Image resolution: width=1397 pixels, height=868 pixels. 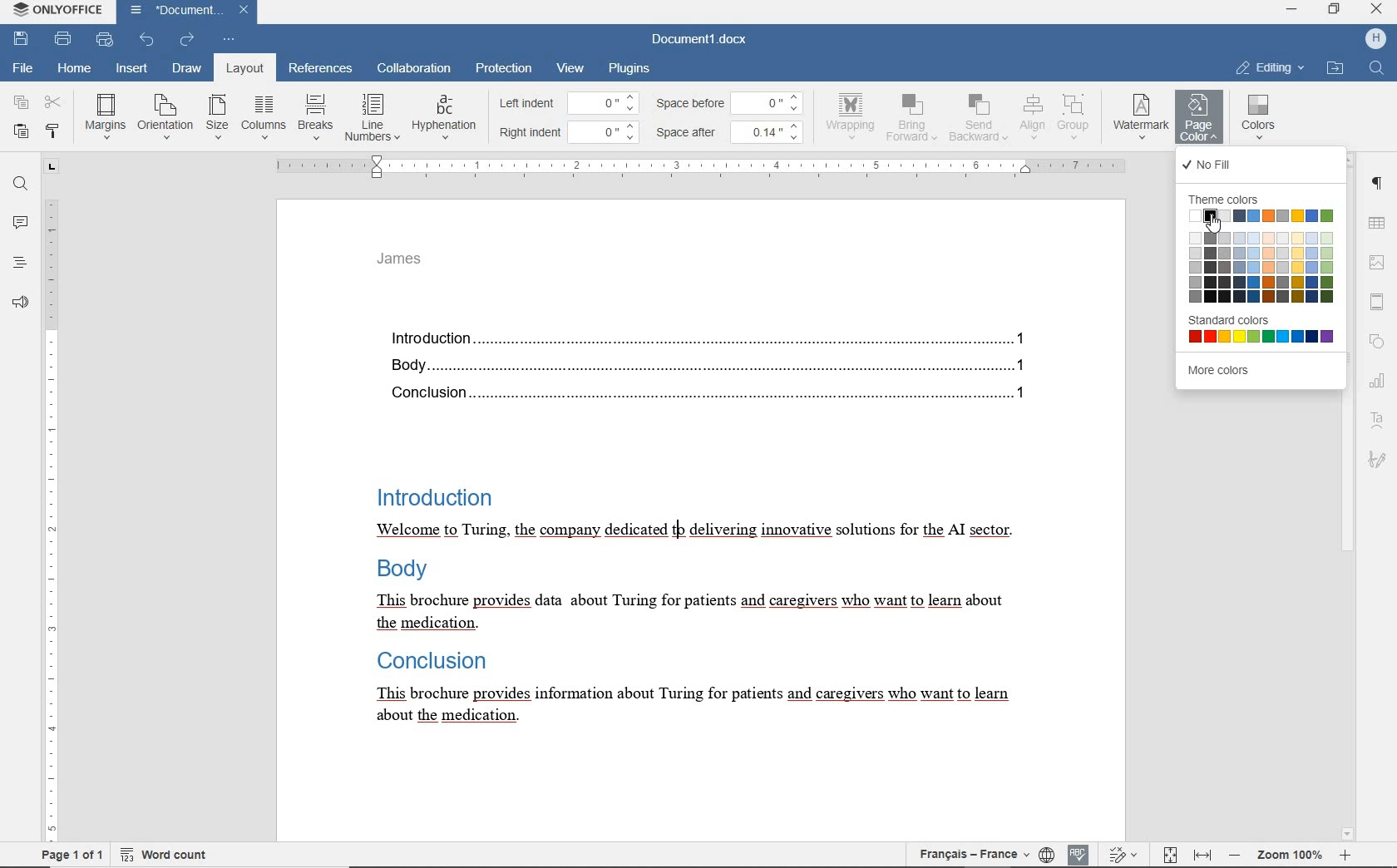 What do you see at coordinates (1142, 116) in the screenshot?
I see `watermark` at bounding box center [1142, 116].